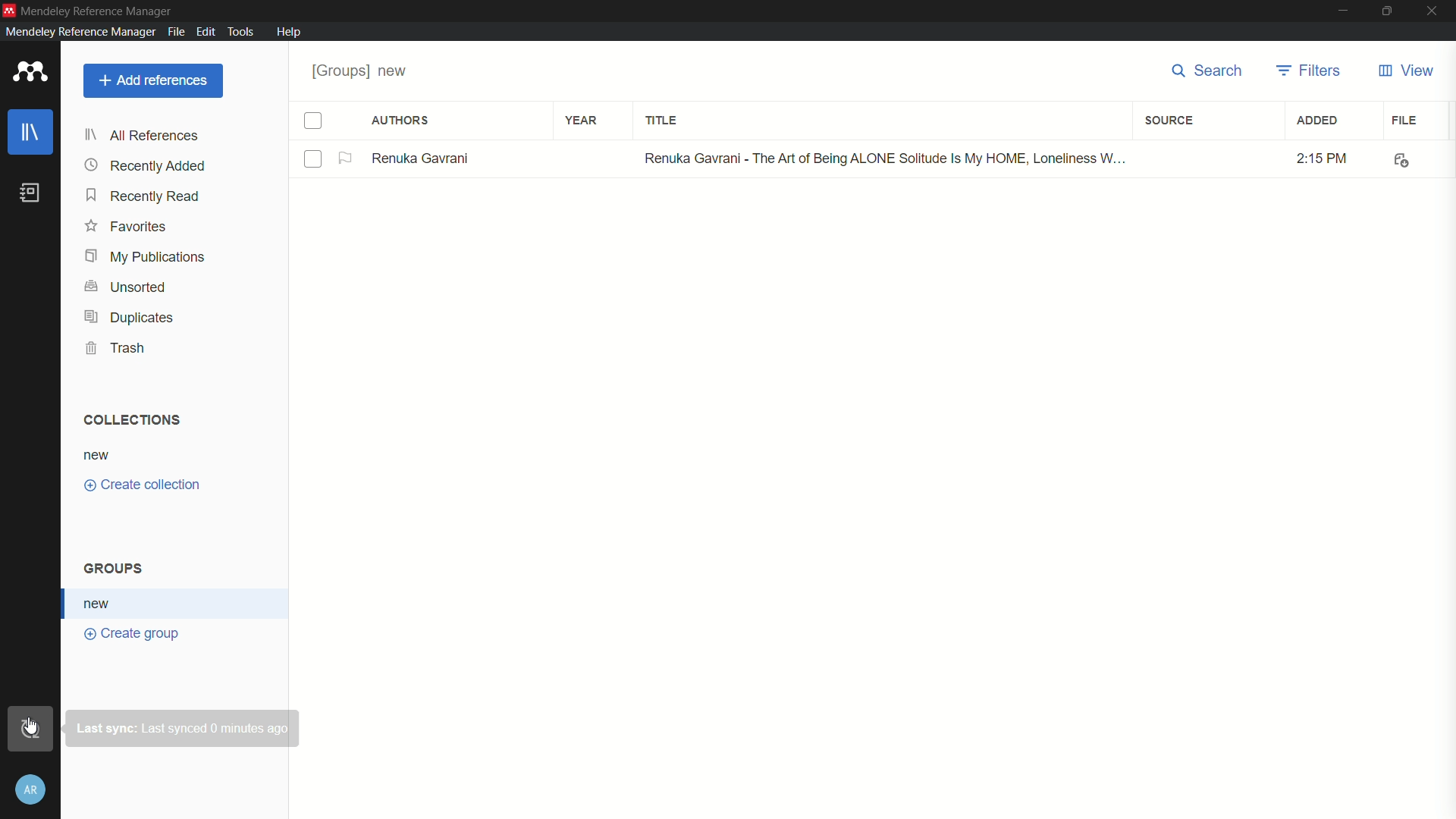  I want to click on add references, so click(154, 80).